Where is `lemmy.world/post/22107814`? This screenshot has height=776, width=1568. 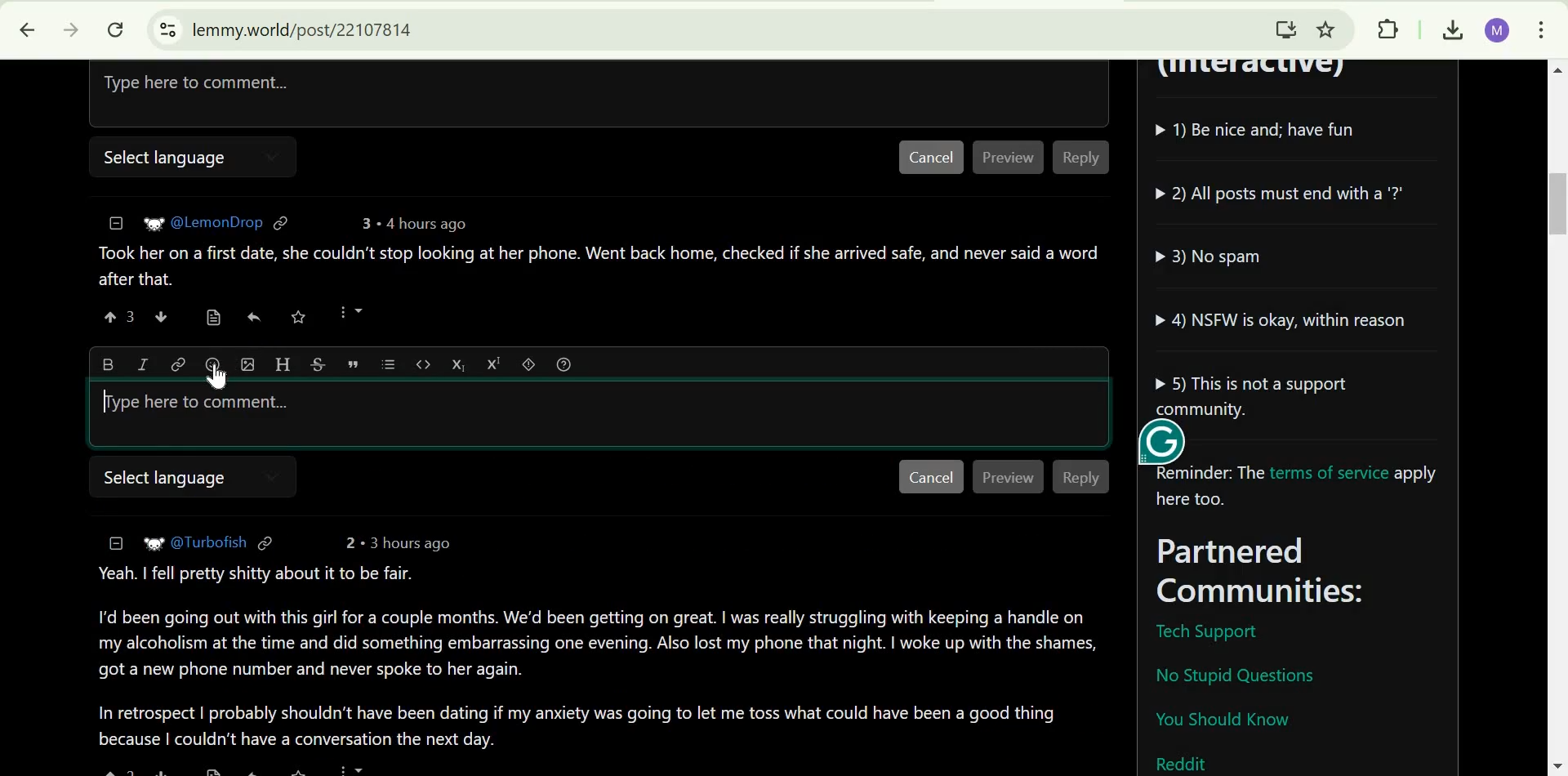 lemmy.world/post/22107814 is located at coordinates (302, 29).